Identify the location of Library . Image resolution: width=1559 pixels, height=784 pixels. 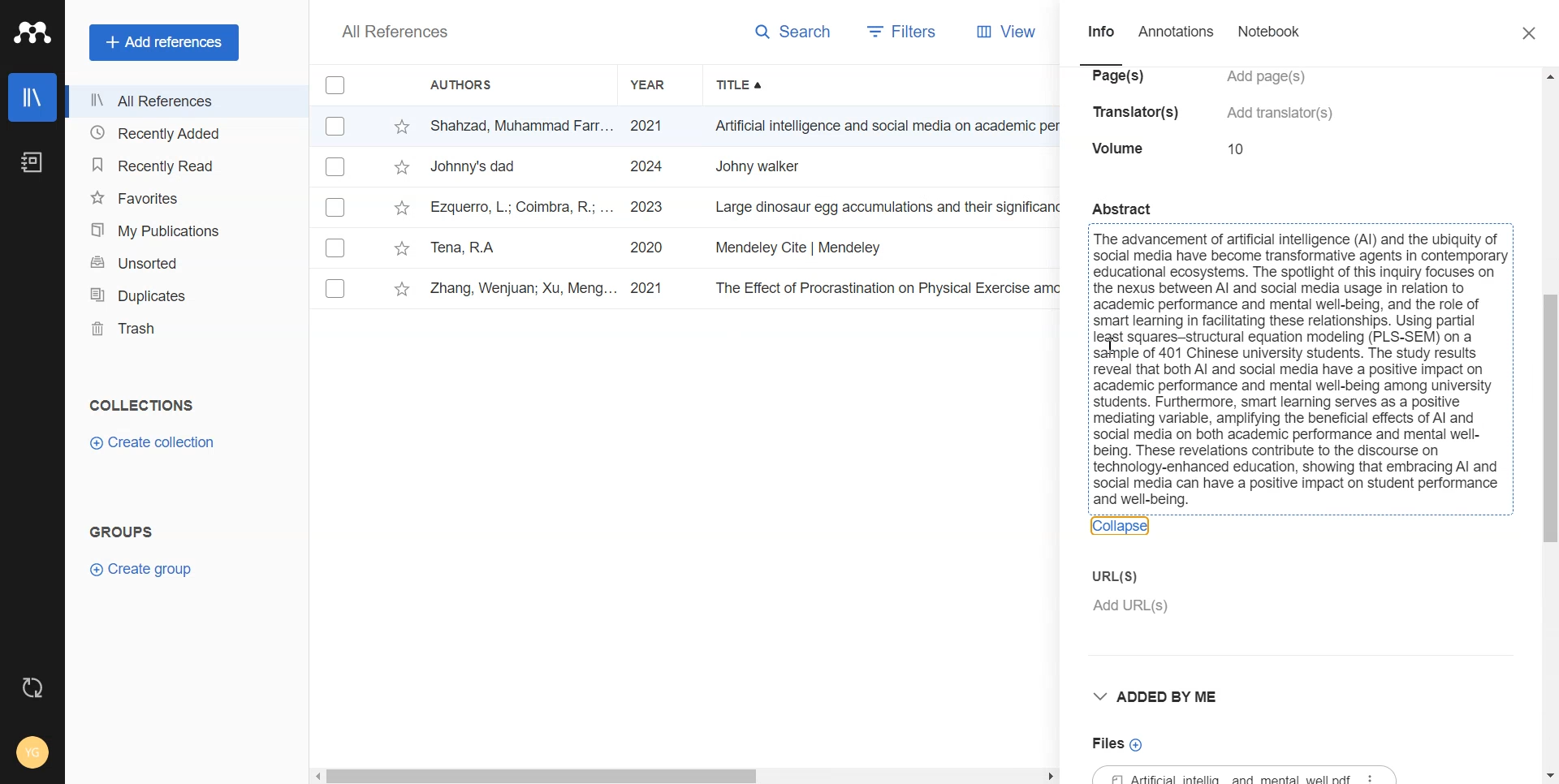
(32, 97).